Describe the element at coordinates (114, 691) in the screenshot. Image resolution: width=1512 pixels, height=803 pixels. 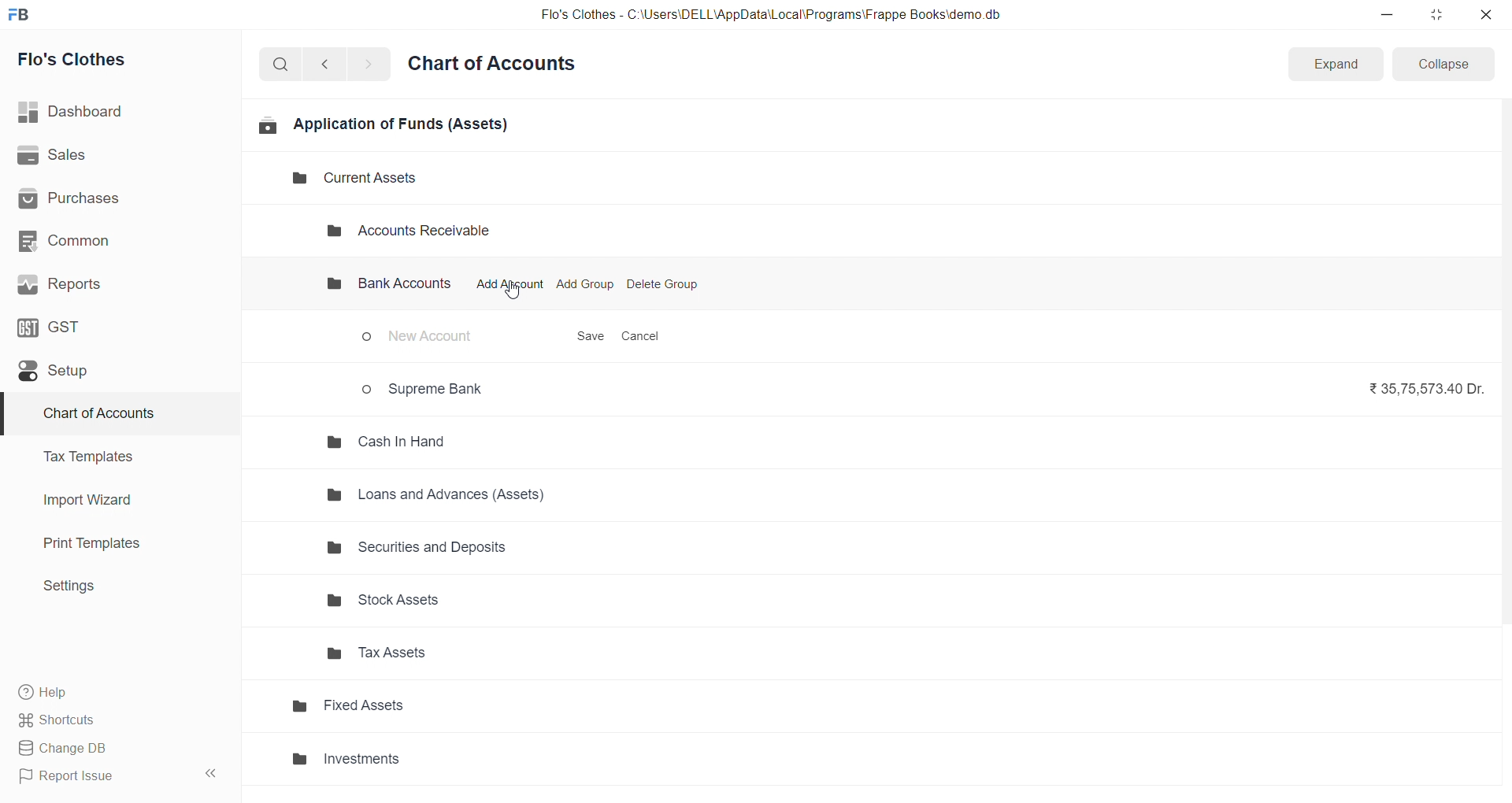
I see `Help` at that location.